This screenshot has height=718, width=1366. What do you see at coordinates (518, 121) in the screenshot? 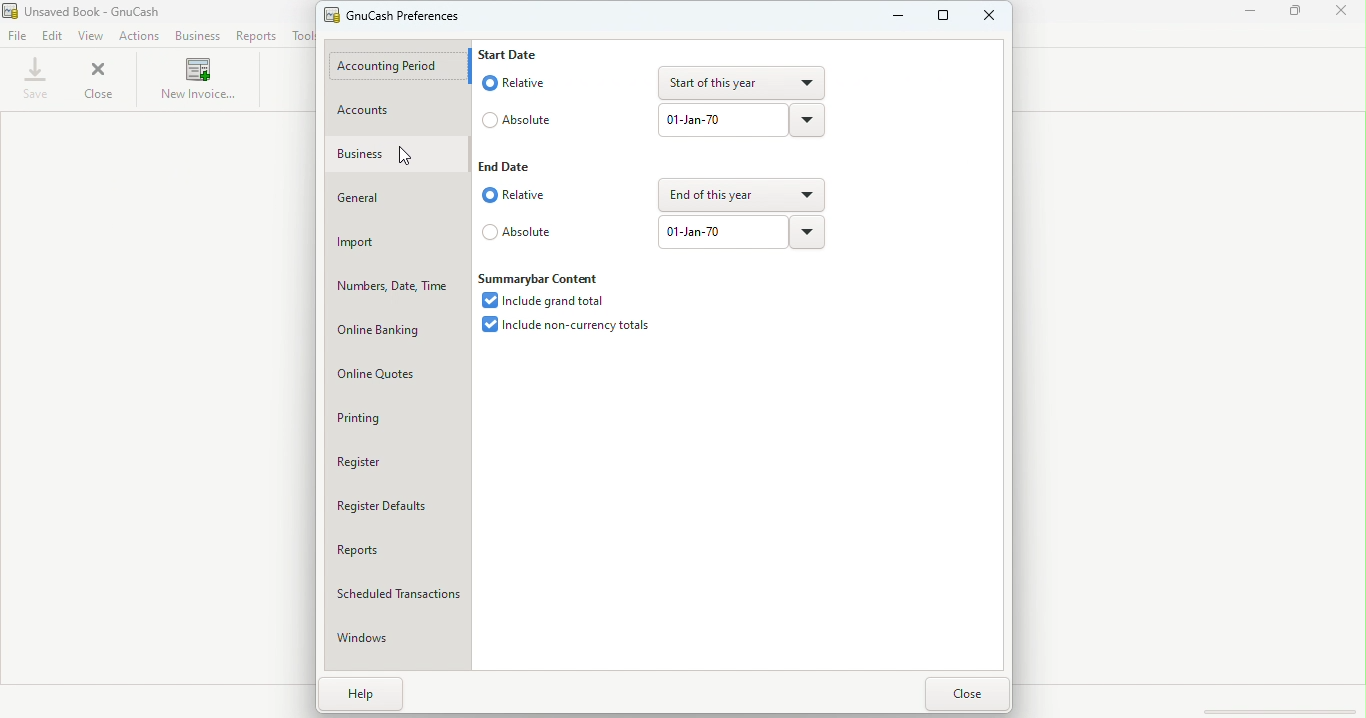
I see `Absolute` at bounding box center [518, 121].